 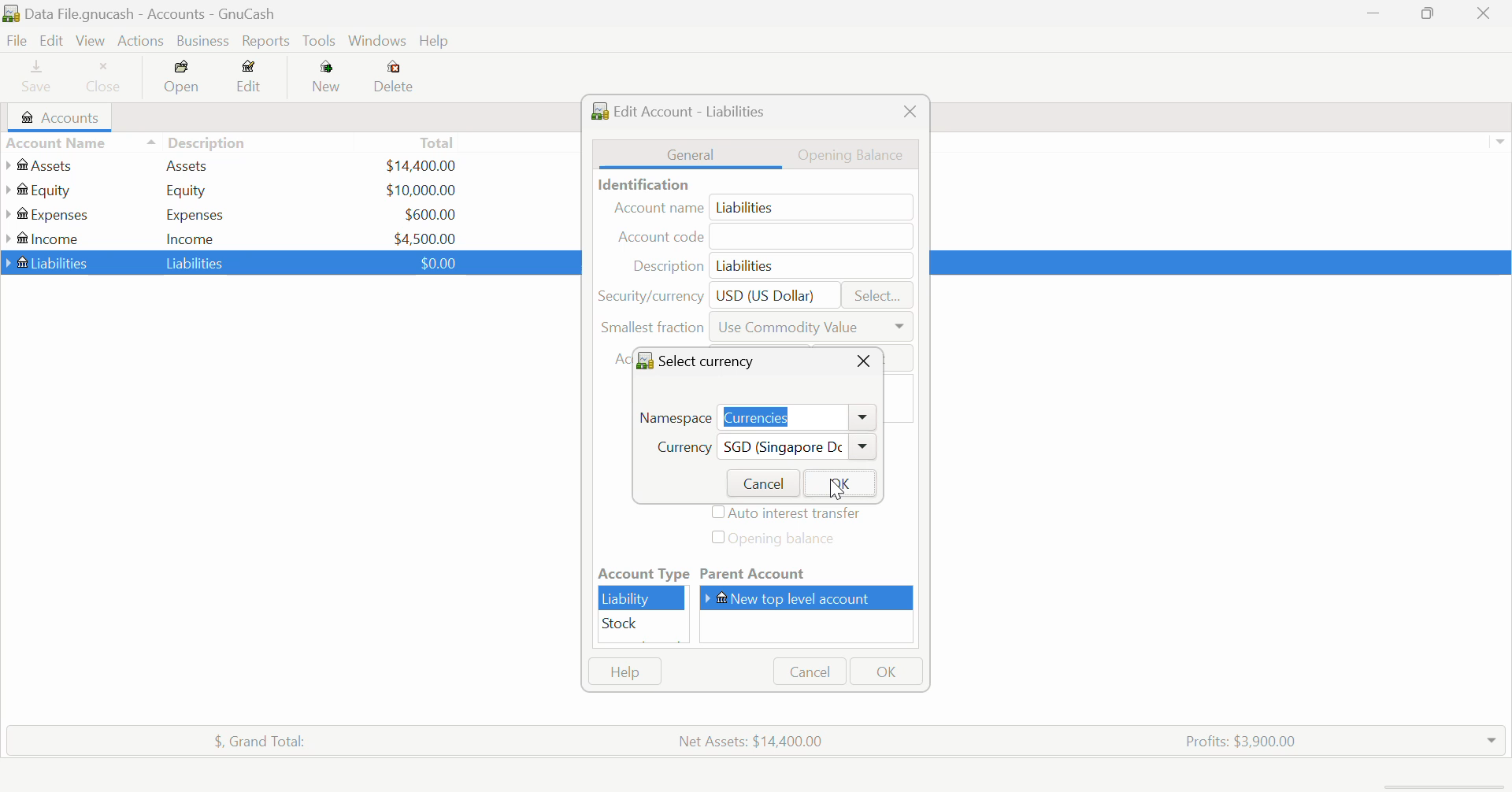 What do you see at coordinates (760, 482) in the screenshot?
I see `Cancel` at bounding box center [760, 482].